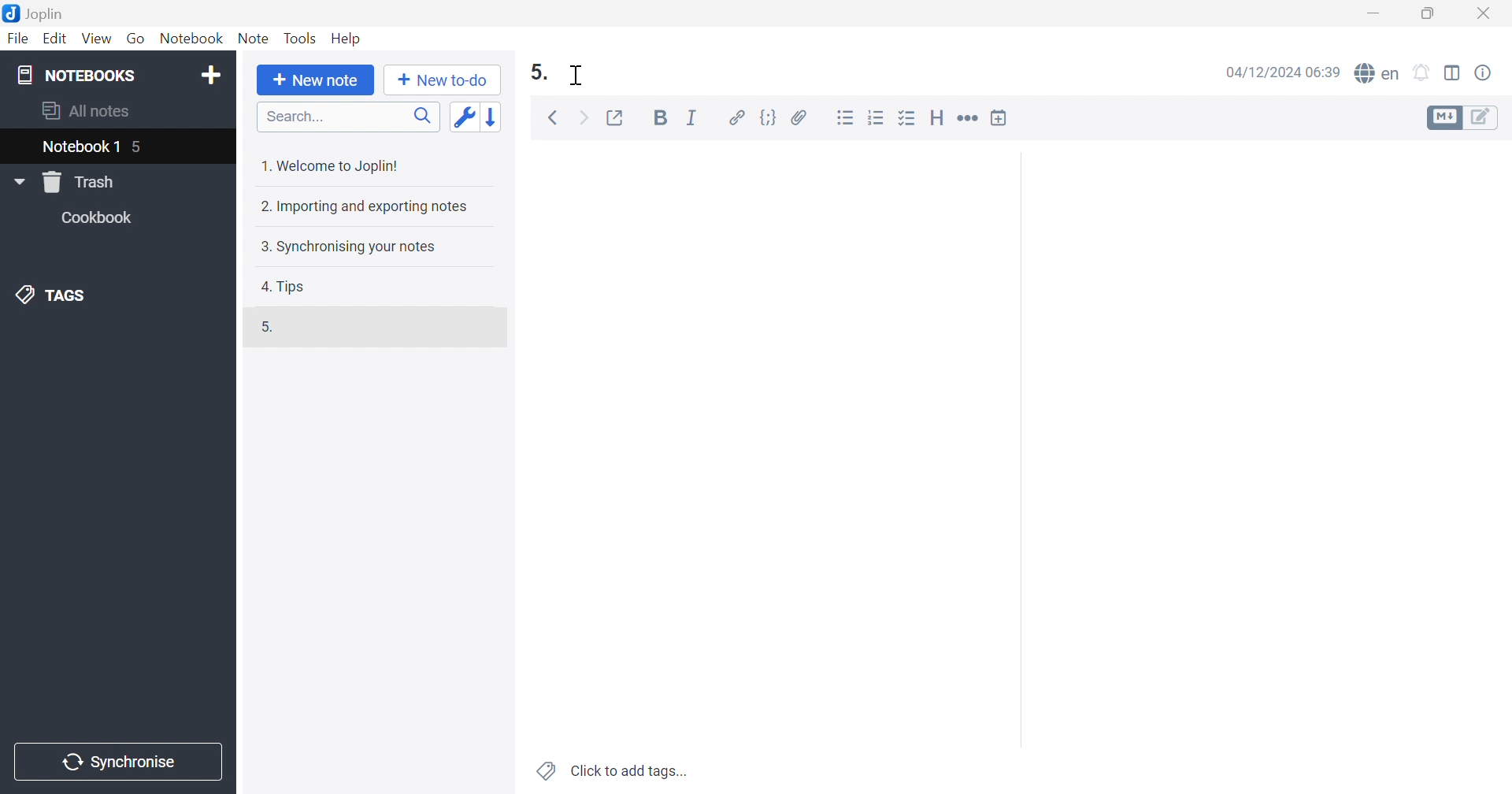  Describe the element at coordinates (658, 117) in the screenshot. I see `Bold` at that location.